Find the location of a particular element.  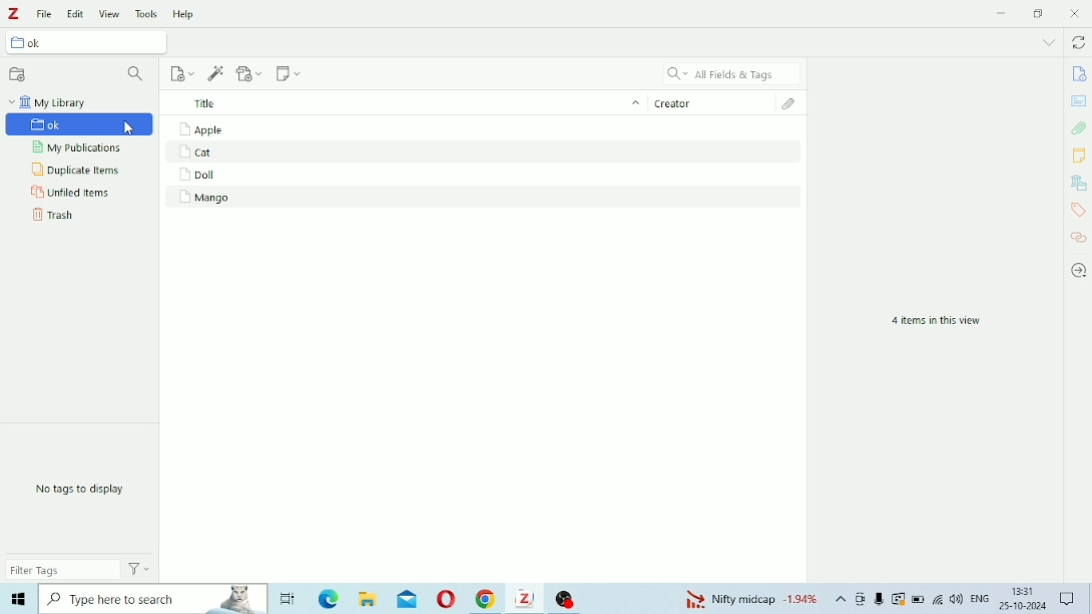

Opera Mini is located at coordinates (446, 599).